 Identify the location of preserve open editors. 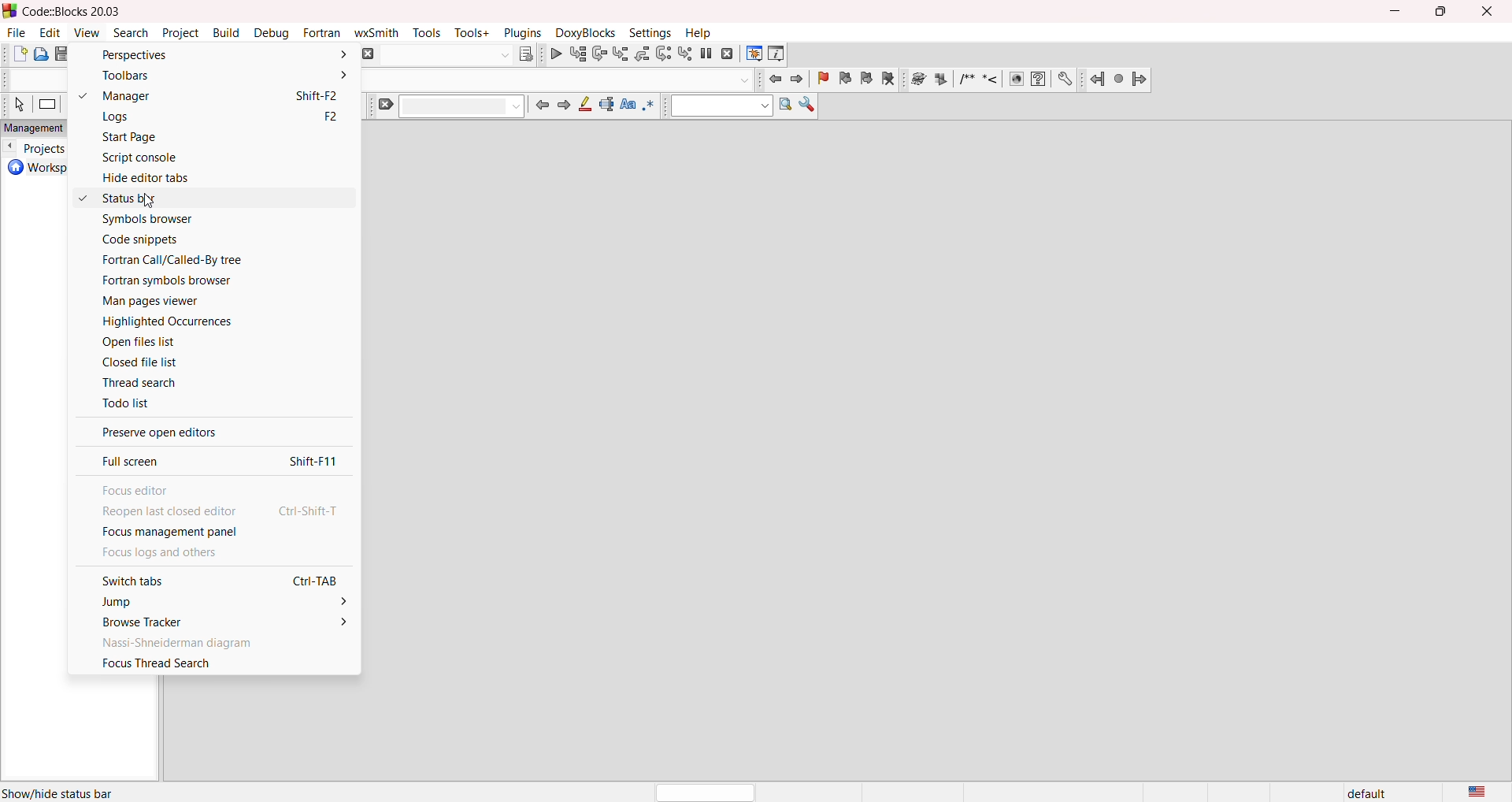
(210, 430).